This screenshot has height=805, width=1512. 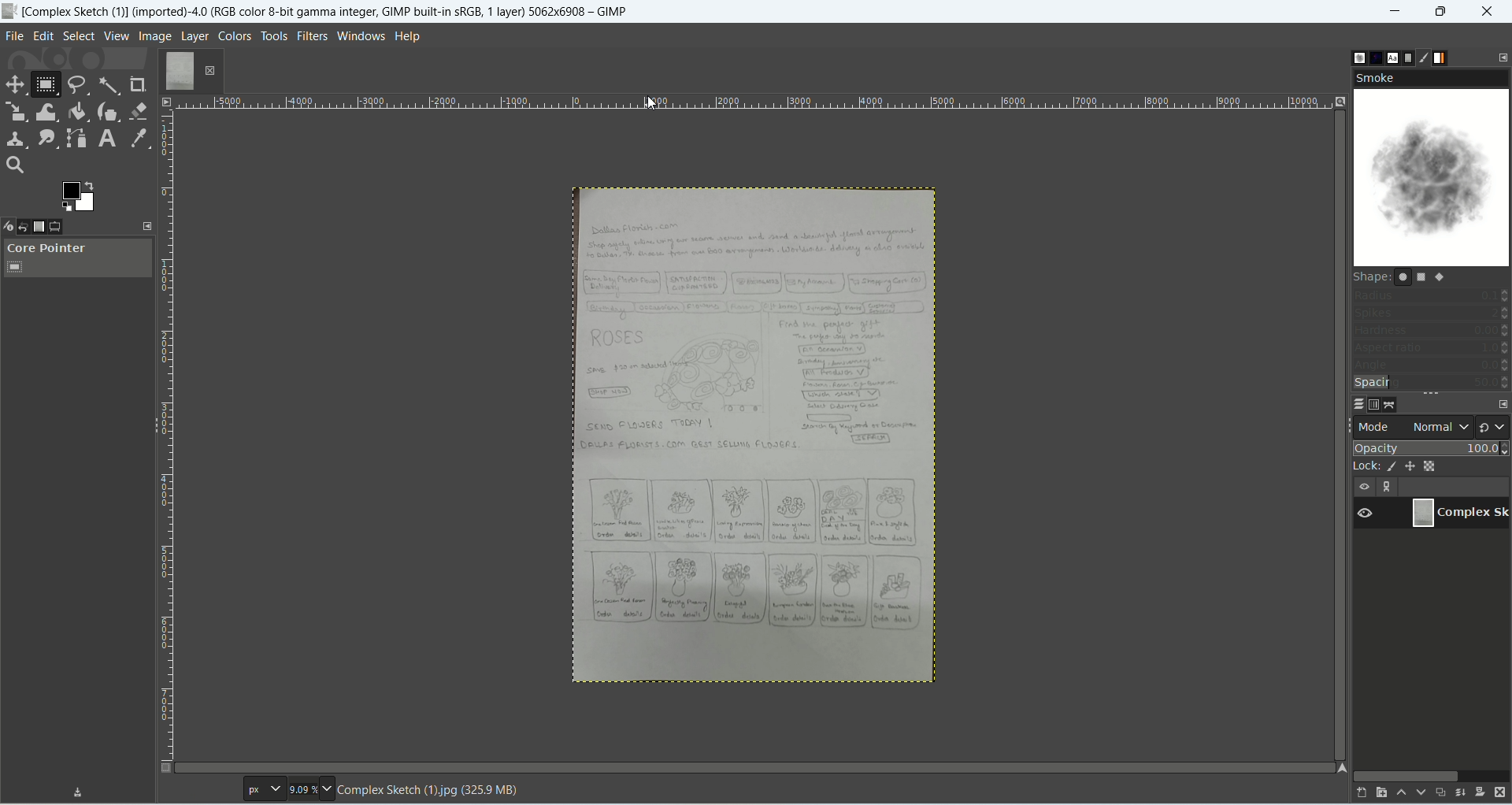 What do you see at coordinates (1362, 467) in the screenshot?
I see `lock` at bounding box center [1362, 467].